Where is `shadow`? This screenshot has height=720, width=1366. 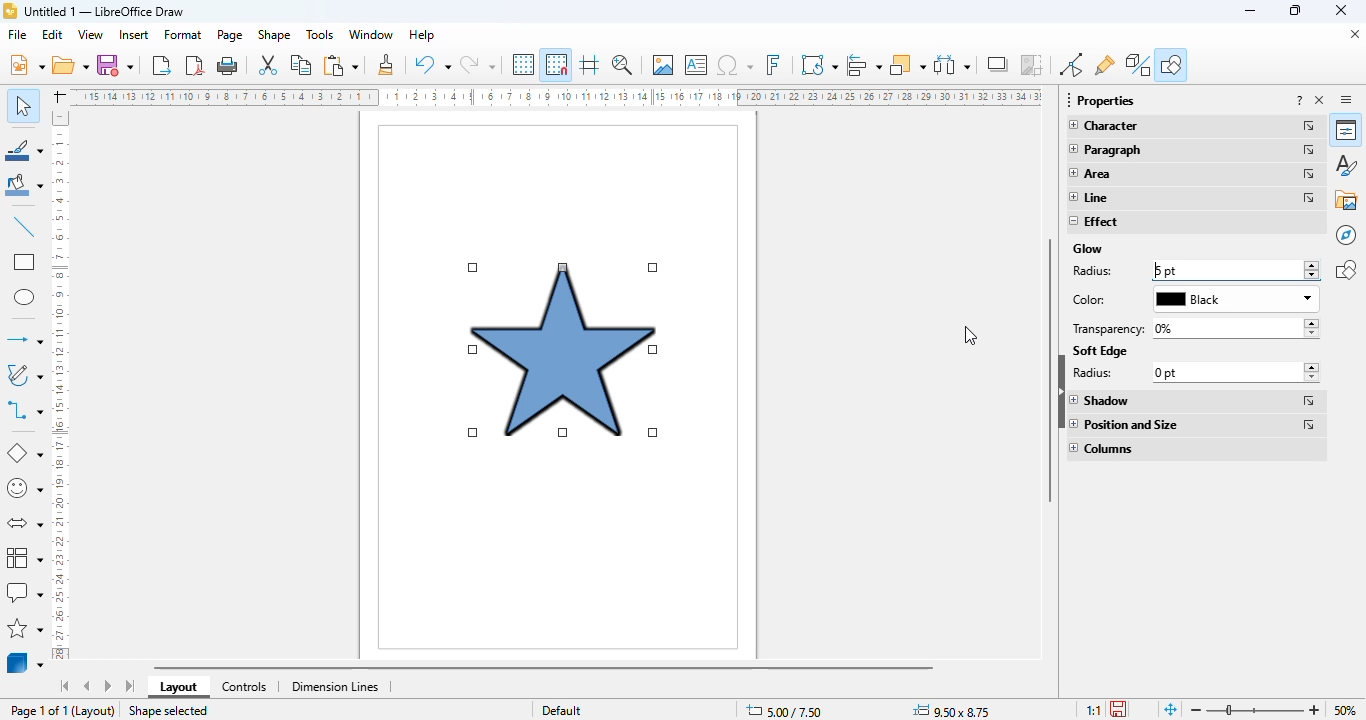
shadow is located at coordinates (998, 64).